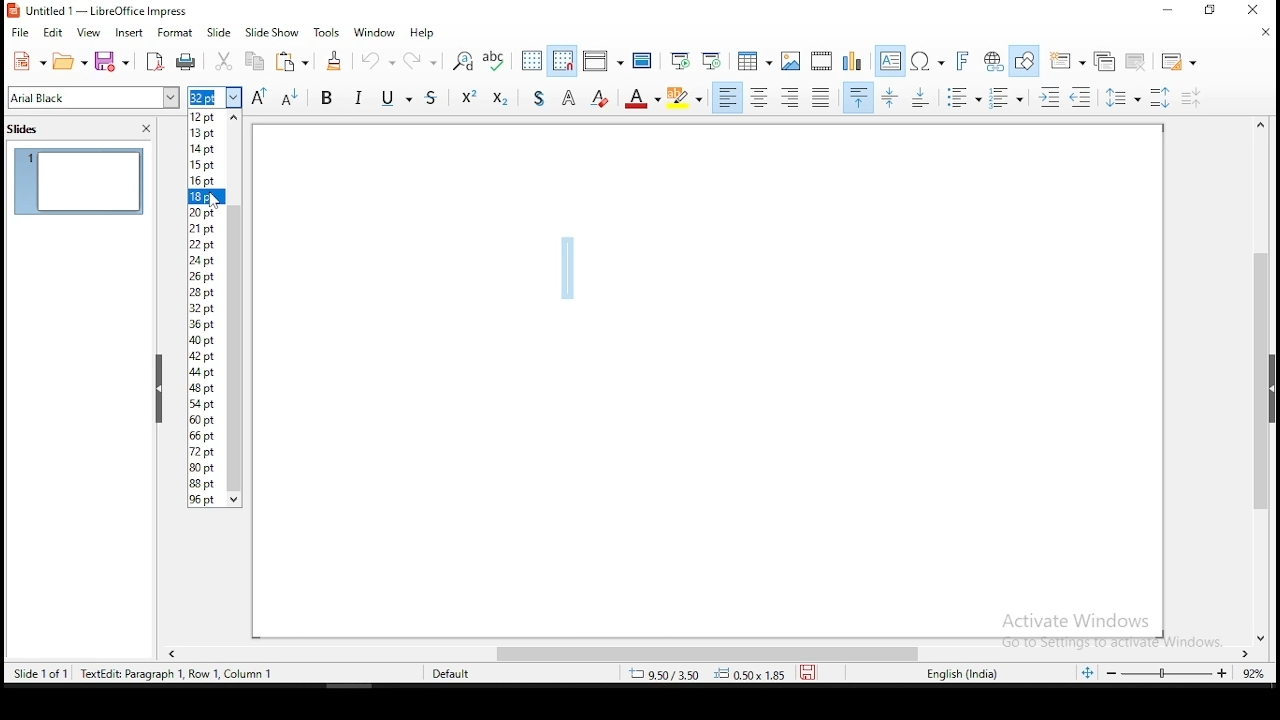  What do you see at coordinates (1080, 98) in the screenshot?
I see `Decrease Indent` at bounding box center [1080, 98].